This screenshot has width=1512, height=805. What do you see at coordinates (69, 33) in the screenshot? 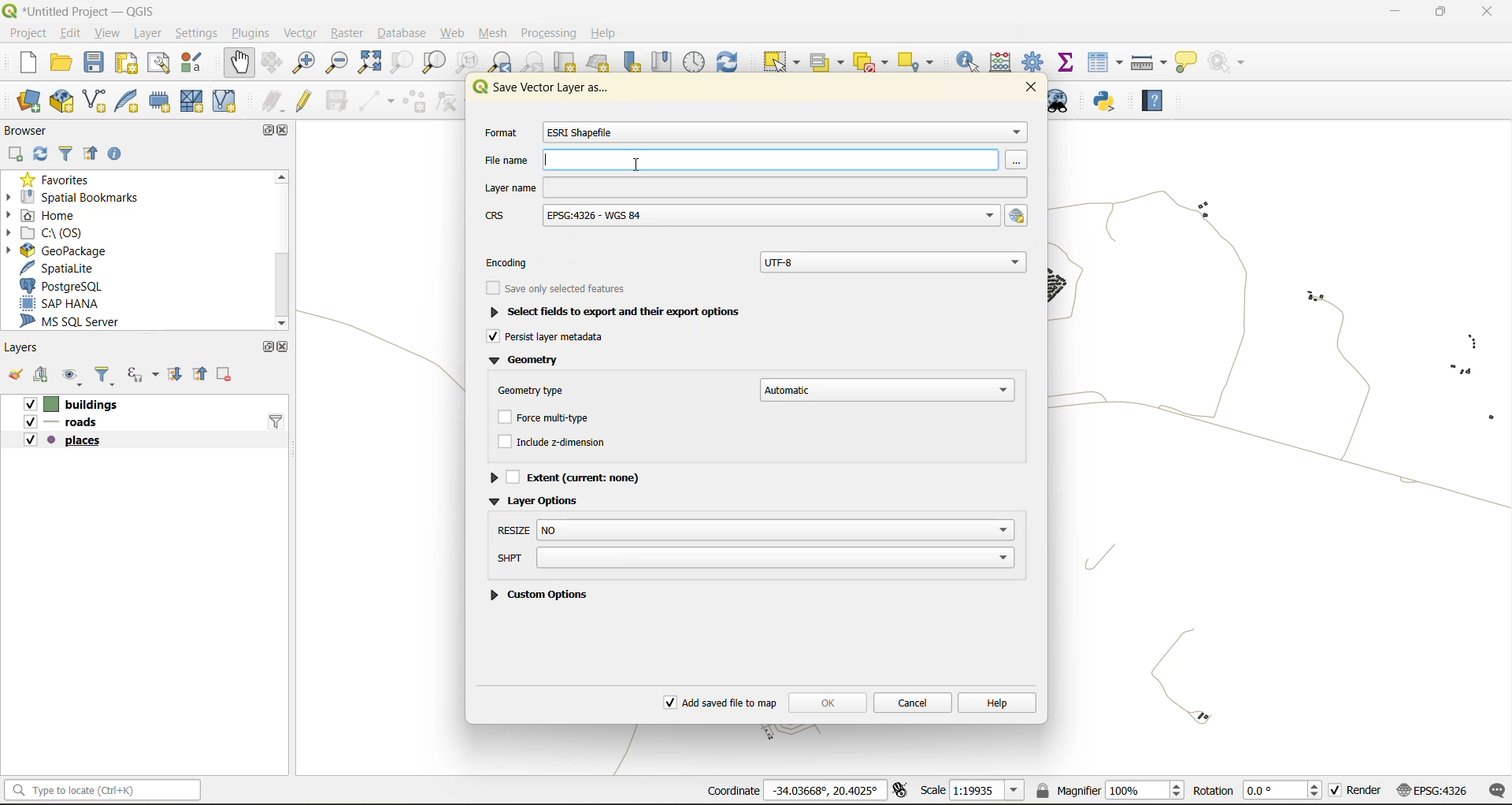
I see `edit` at bounding box center [69, 33].